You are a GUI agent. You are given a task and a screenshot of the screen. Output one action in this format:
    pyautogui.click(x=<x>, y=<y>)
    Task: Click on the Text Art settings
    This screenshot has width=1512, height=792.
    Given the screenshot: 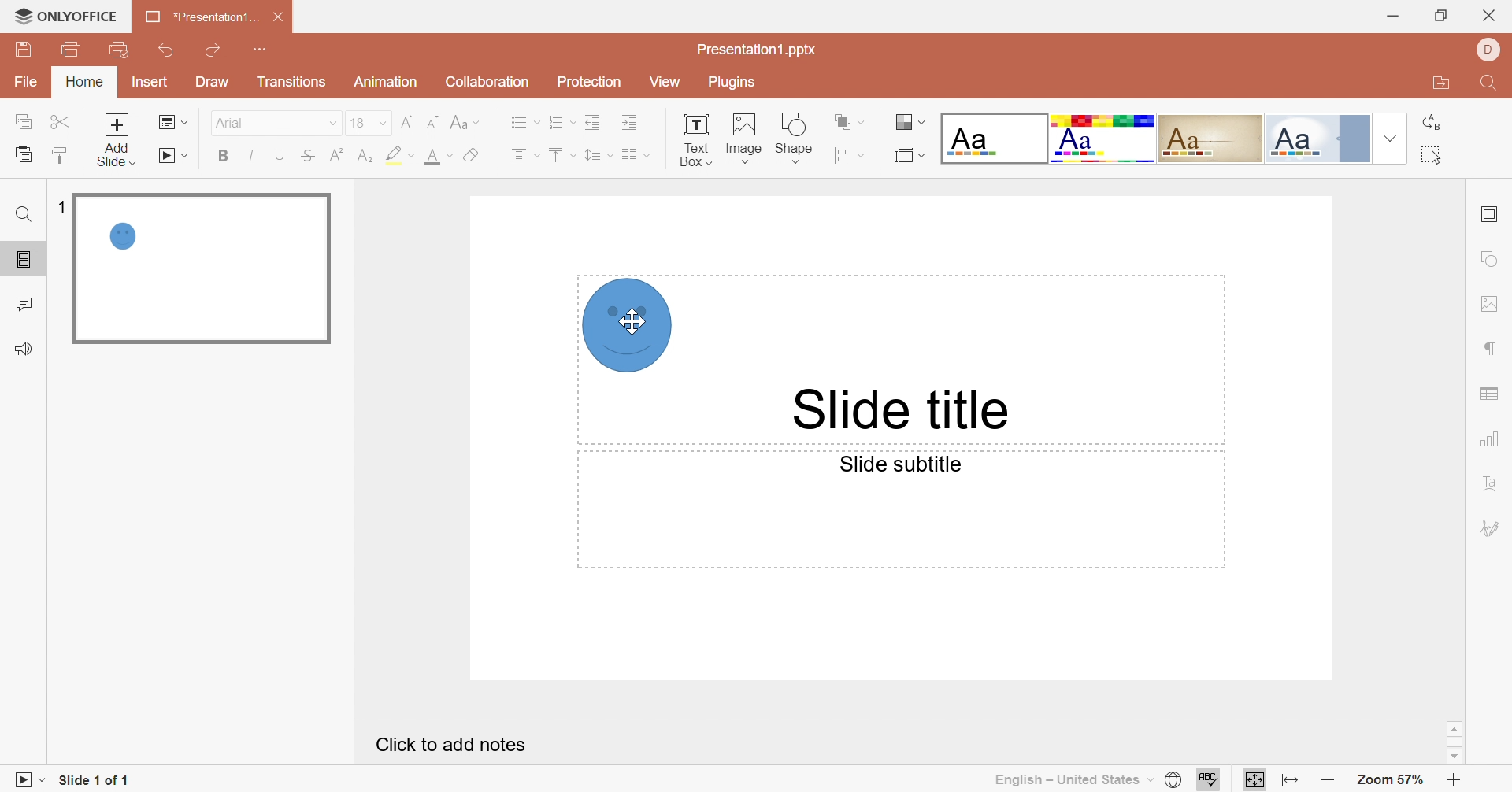 What is the action you would take?
    pyautogui.click(x=1491, y=483)
    